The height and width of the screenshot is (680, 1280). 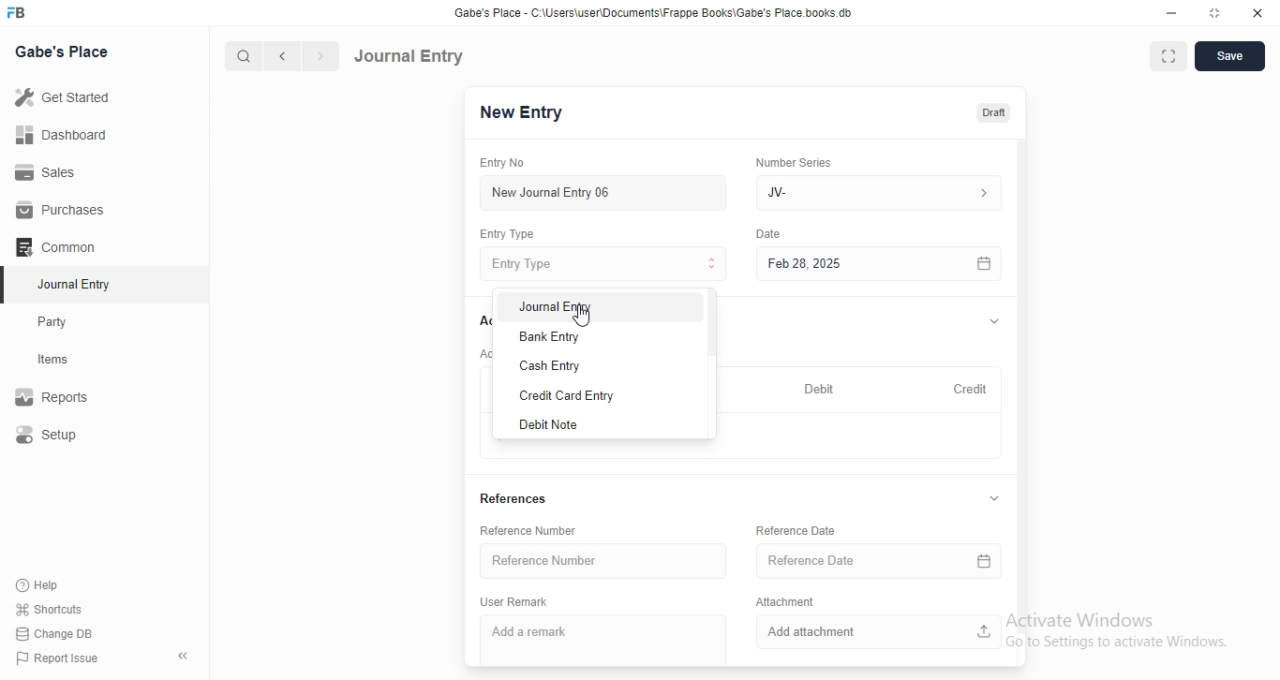 I want to click on Gabe's Place, so click(x=62, y=51).